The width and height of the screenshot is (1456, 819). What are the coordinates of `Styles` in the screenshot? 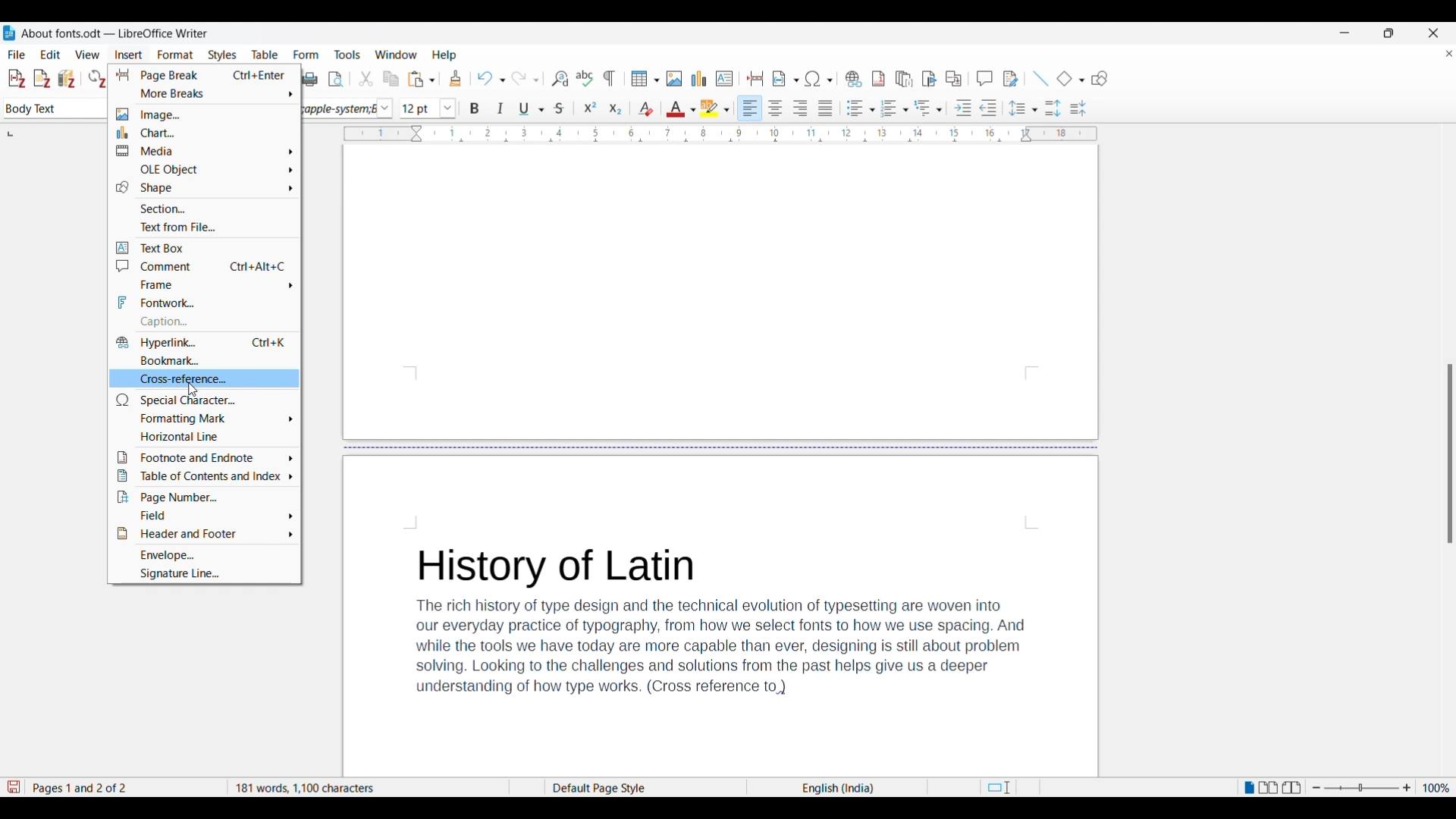 It's located at (224, 55).